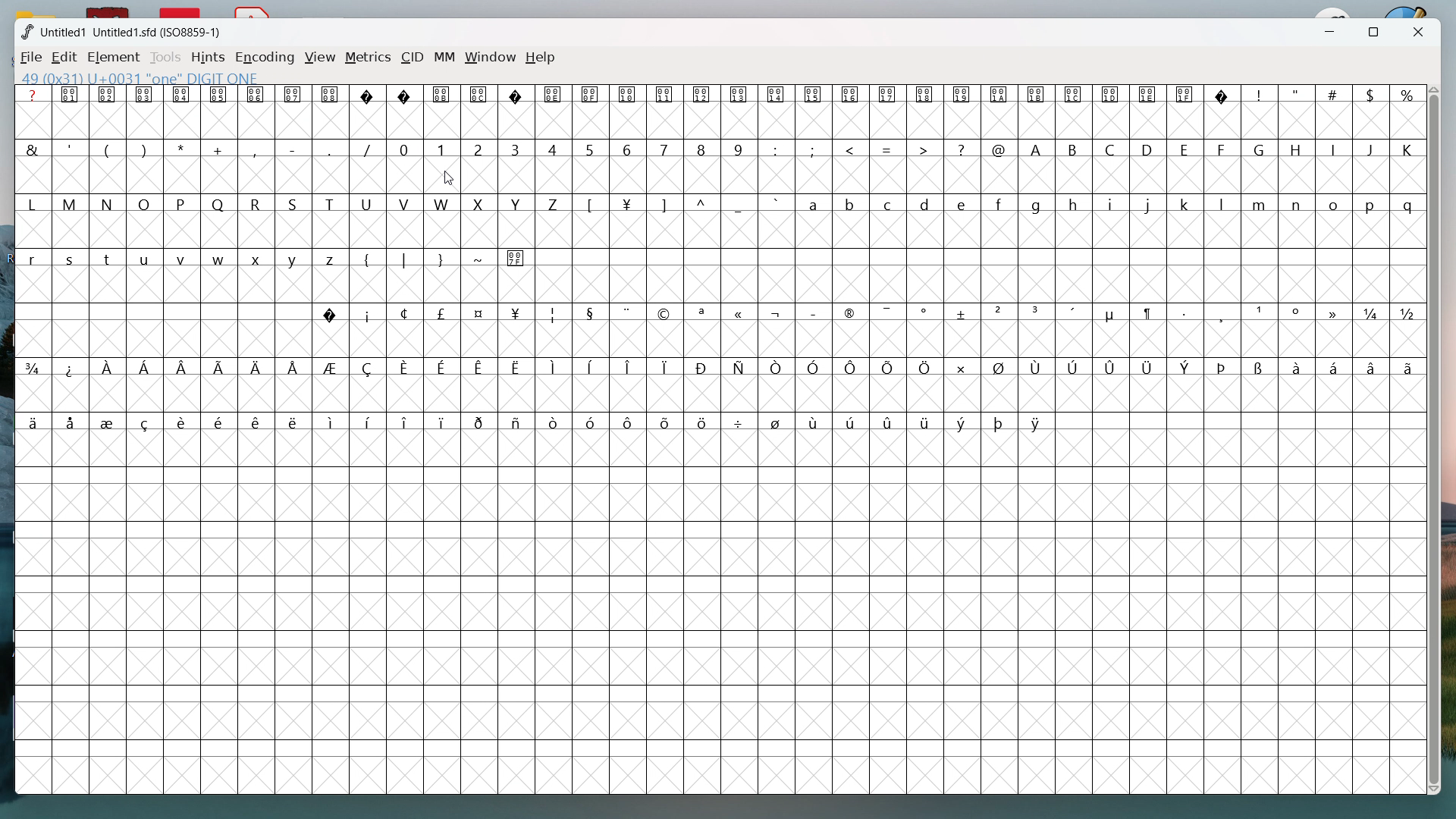 The image size is (1456, 819). Describe the element at coordinates (479, 257) in the screenshot. I see `~` at that location.